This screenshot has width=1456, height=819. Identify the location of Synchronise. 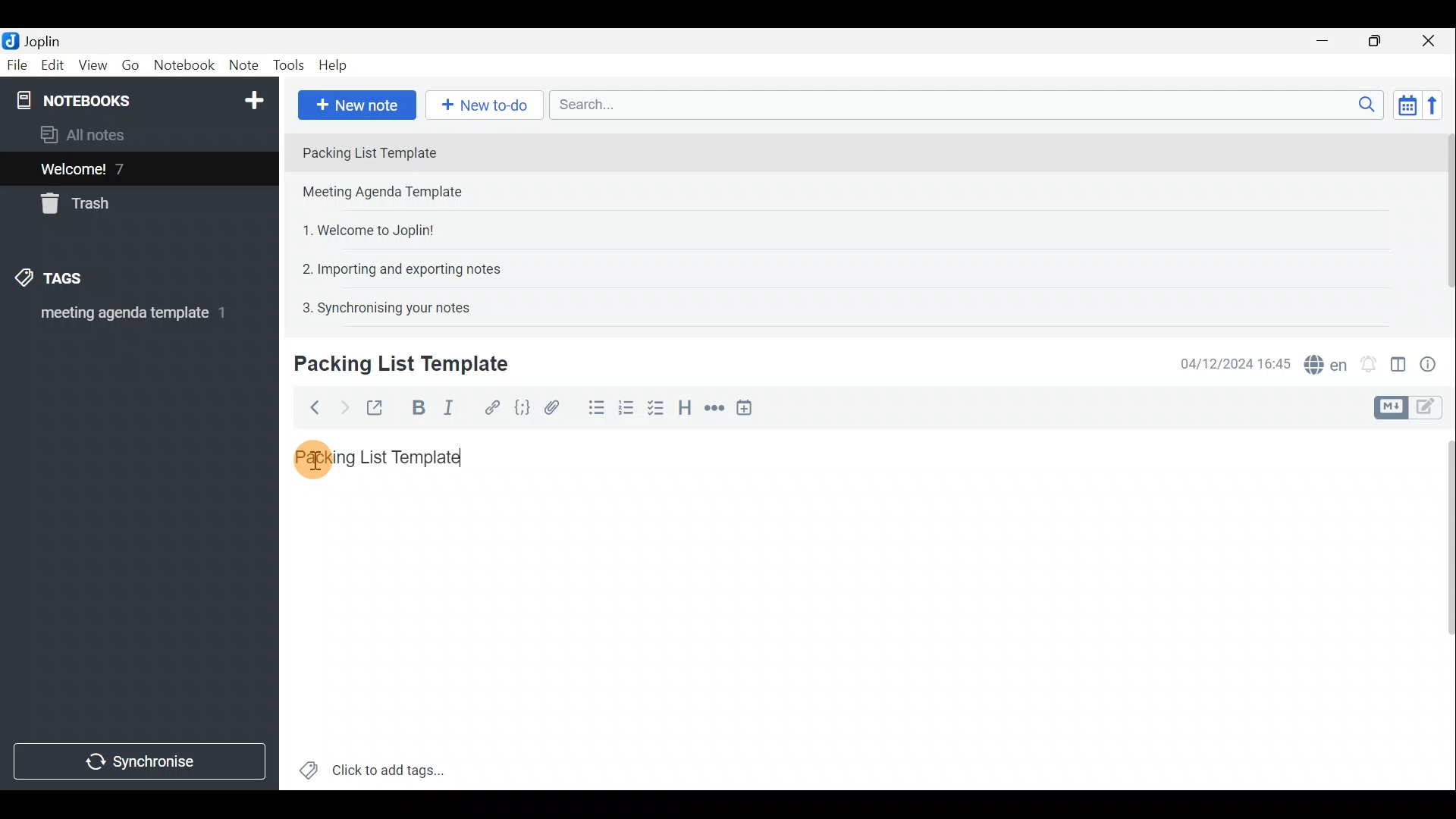
(142, 764).